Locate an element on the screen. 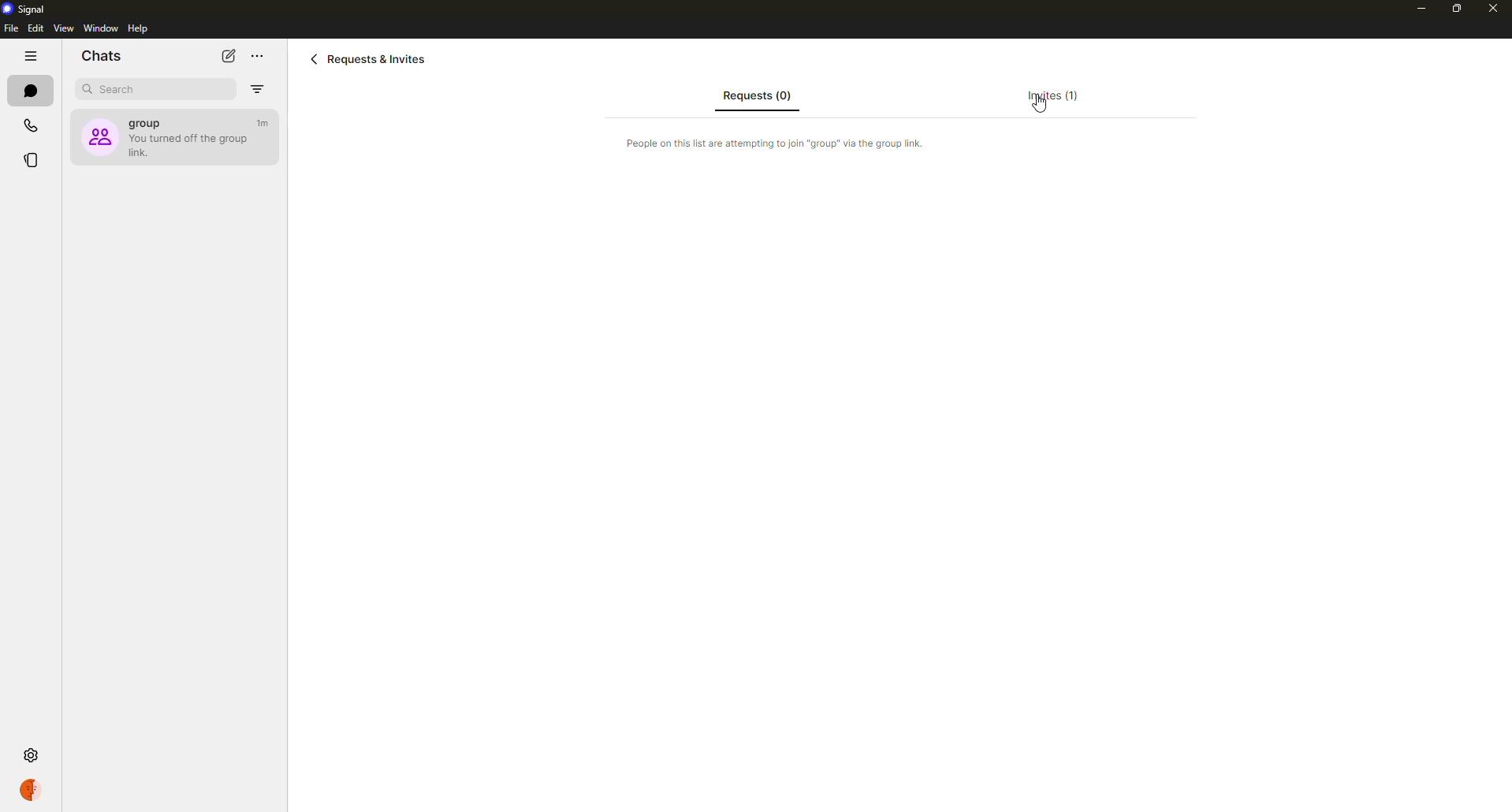 This screenshot has height=812, width=1512. info is located at coordinates (780, 142).